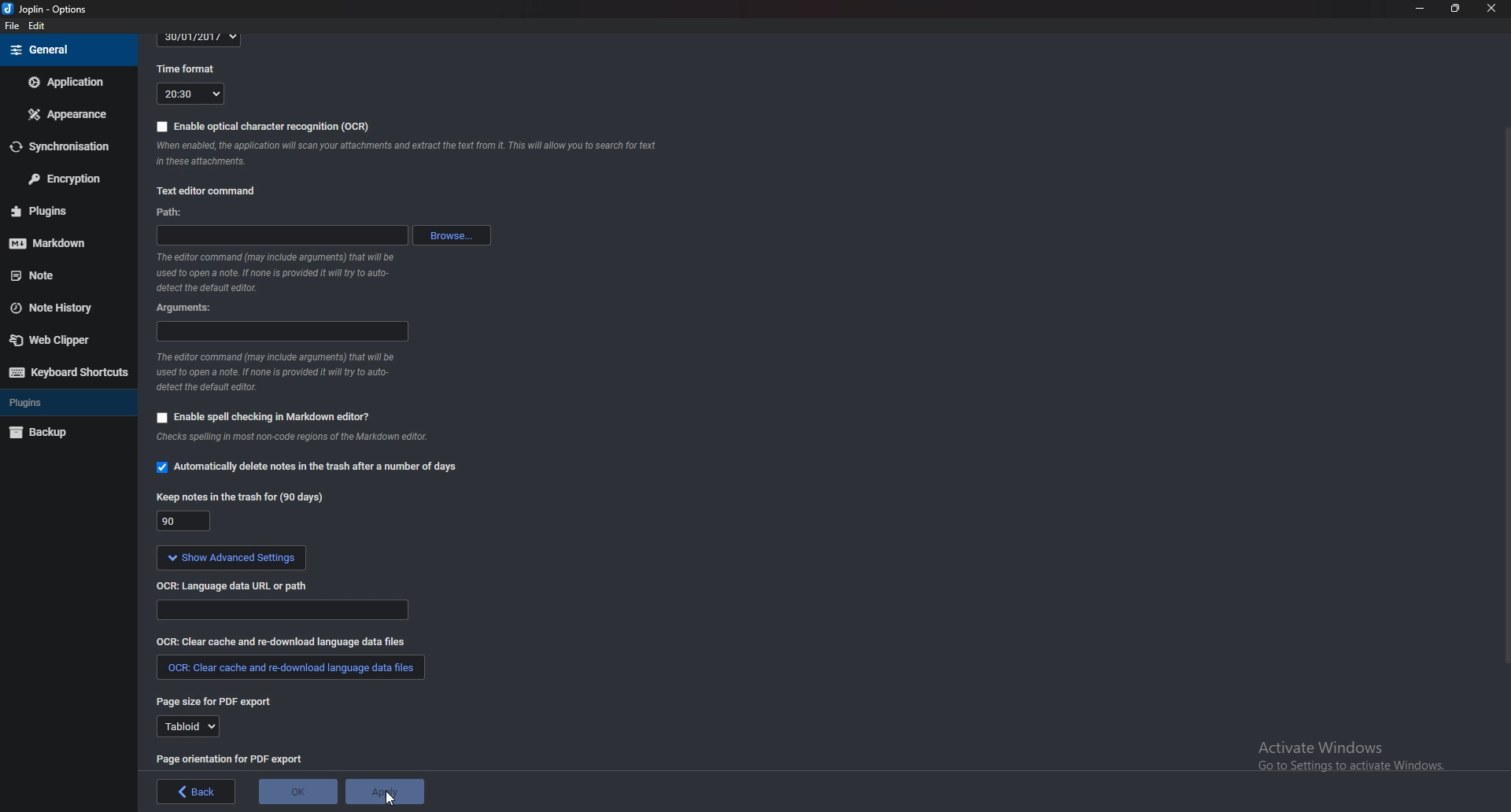 The image size is (1511, 812). Describe the element at coordinates (185, 524) in the screenshot. I see `90 days` at that location.